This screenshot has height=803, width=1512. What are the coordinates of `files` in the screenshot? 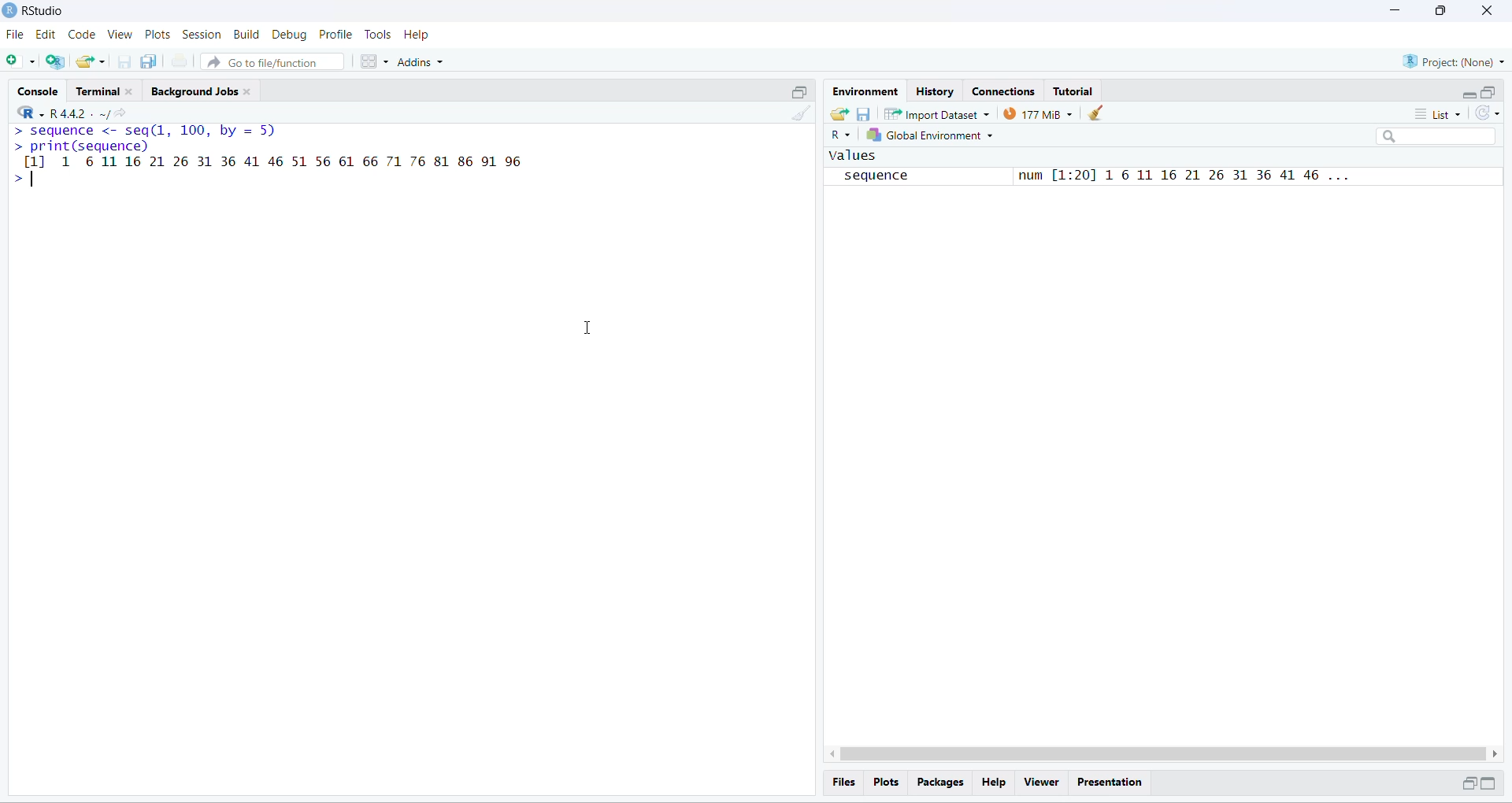 It's located at (846, 782).